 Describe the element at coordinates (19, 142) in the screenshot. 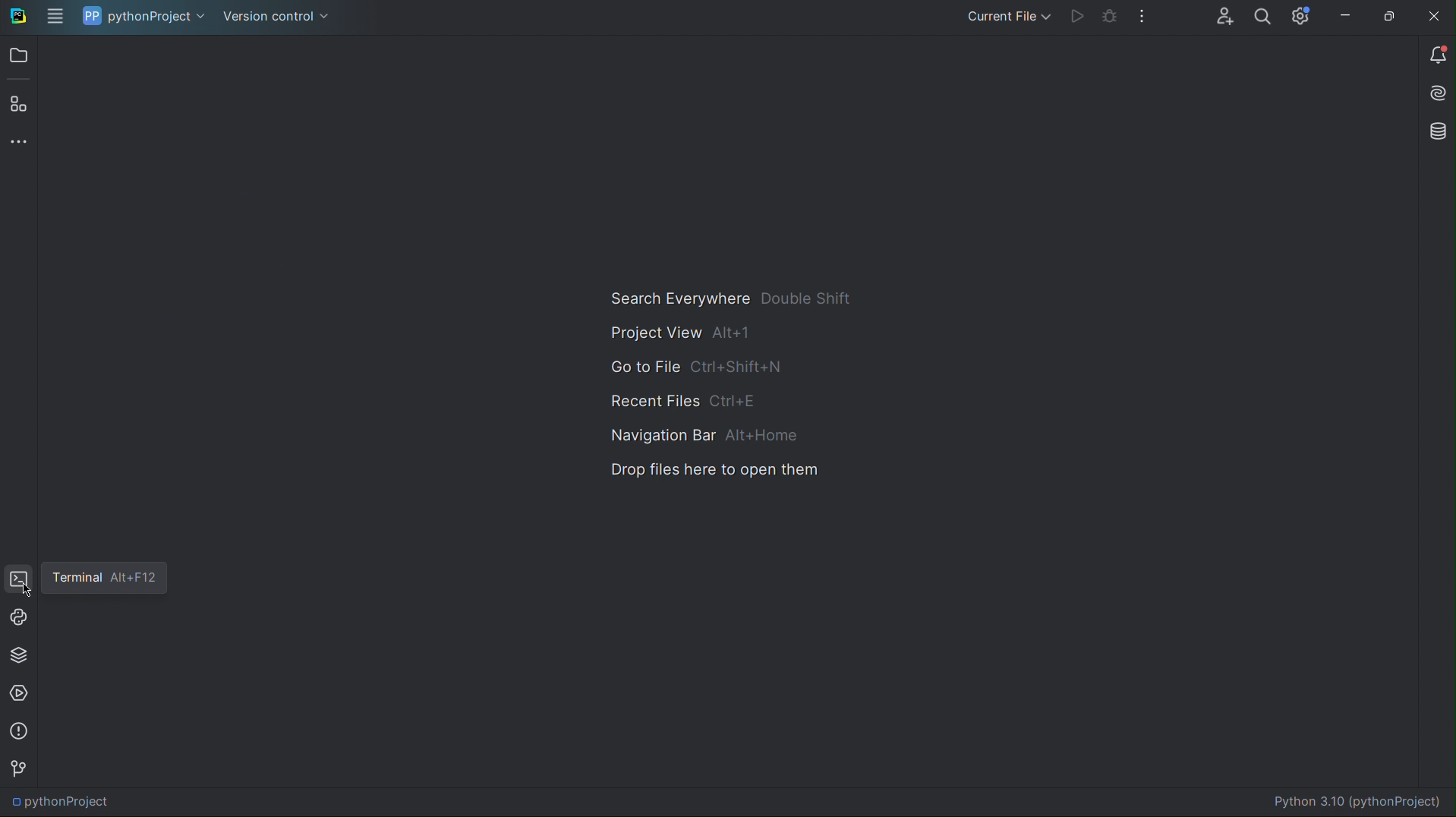

I see `More` at that location.